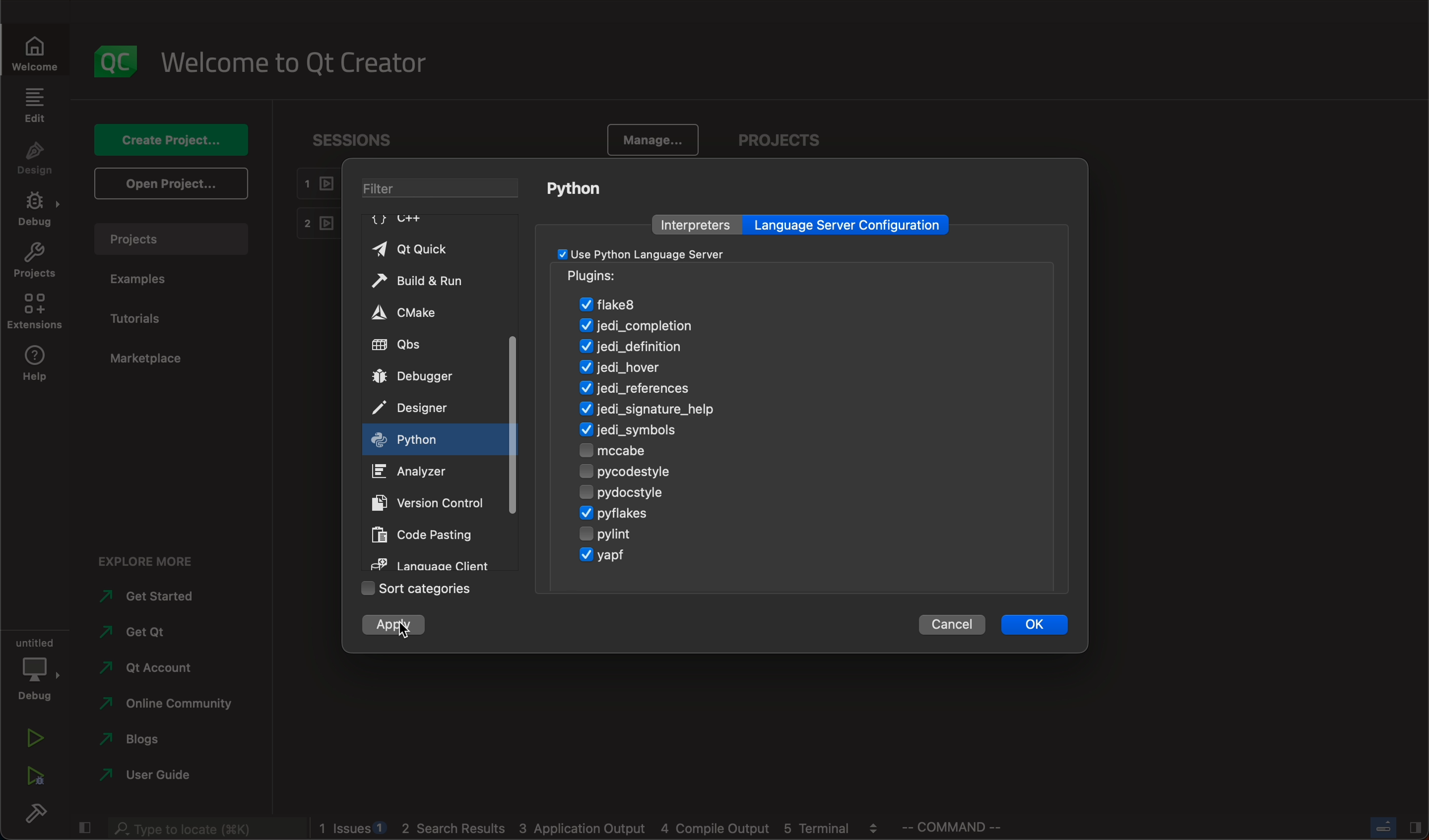 The width and height of the screenshot is (1429, 840). Describe the element at coordinates (1037, 622) in the screenshot. I see `ok` at that location.